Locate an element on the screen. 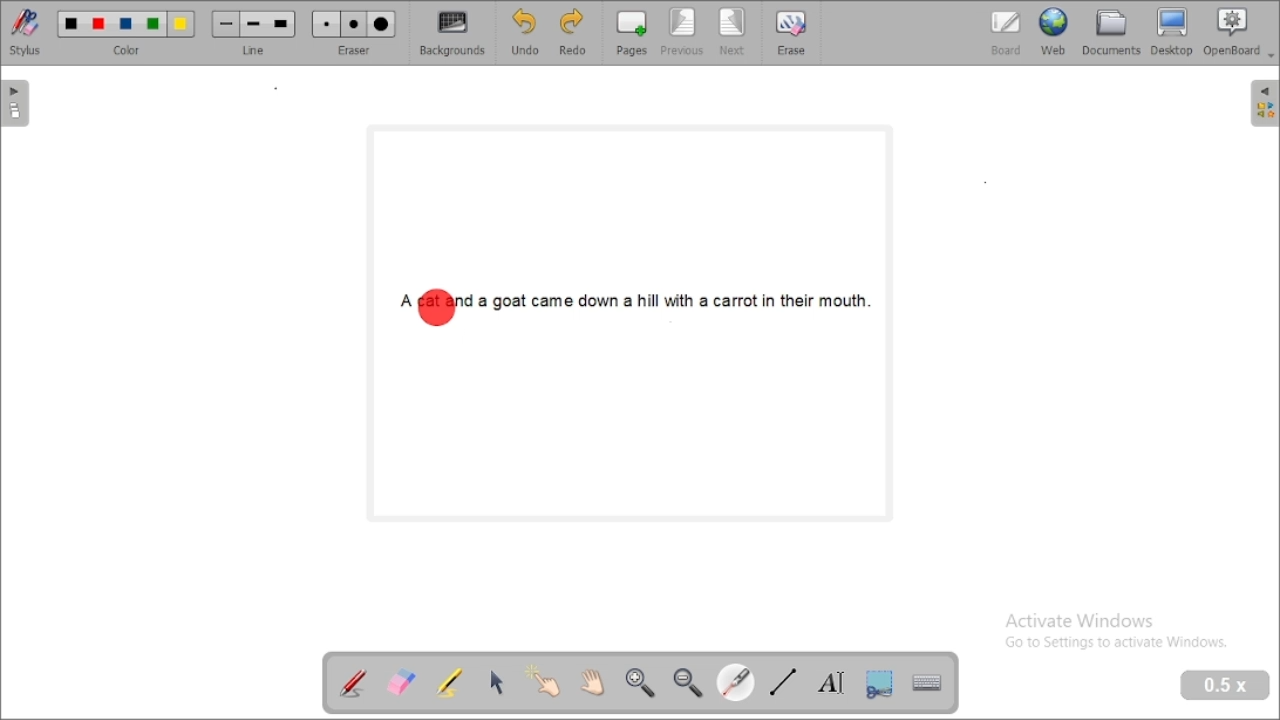 This screenshot has height=720, width=1280. next is located at coordinates (734, 33).